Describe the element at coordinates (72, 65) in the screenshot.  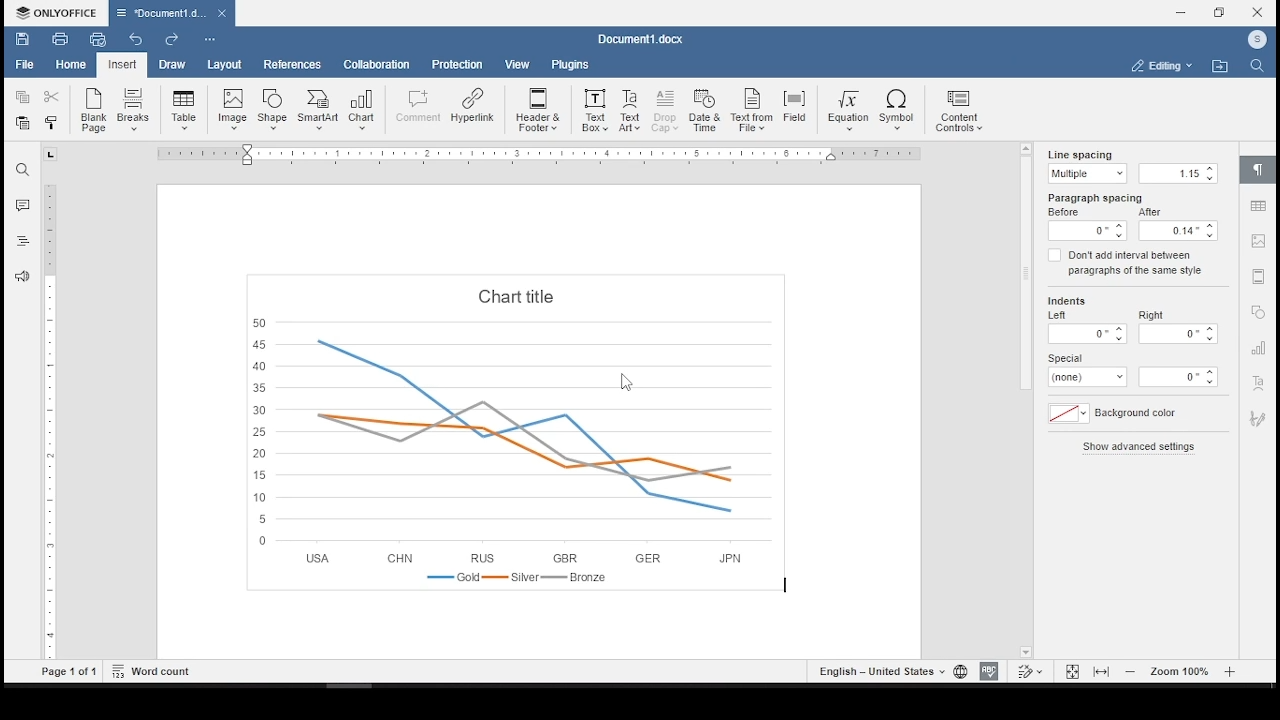
I see `home` at that location.